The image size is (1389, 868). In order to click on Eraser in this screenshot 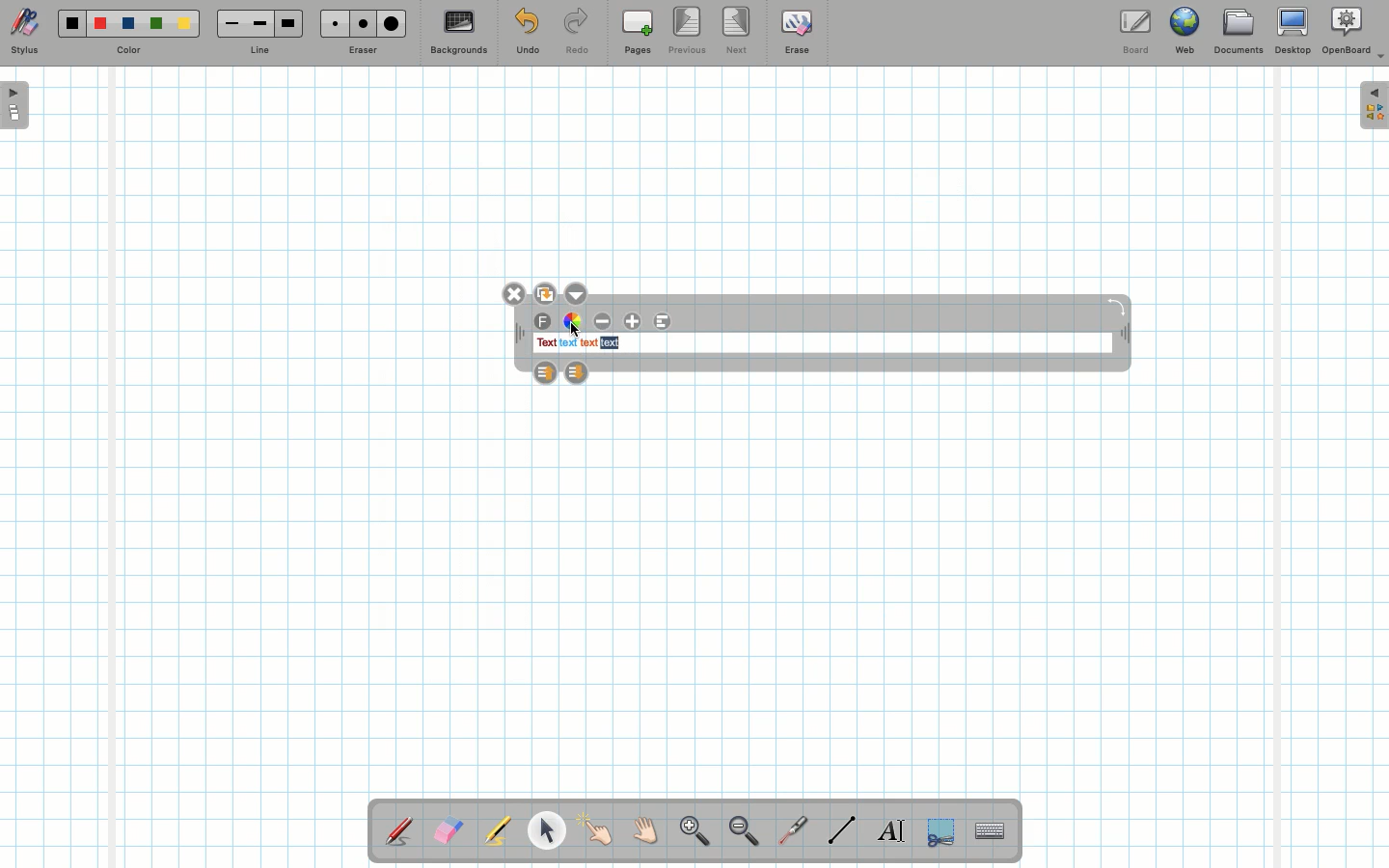, I will do `click(448, 832)`.